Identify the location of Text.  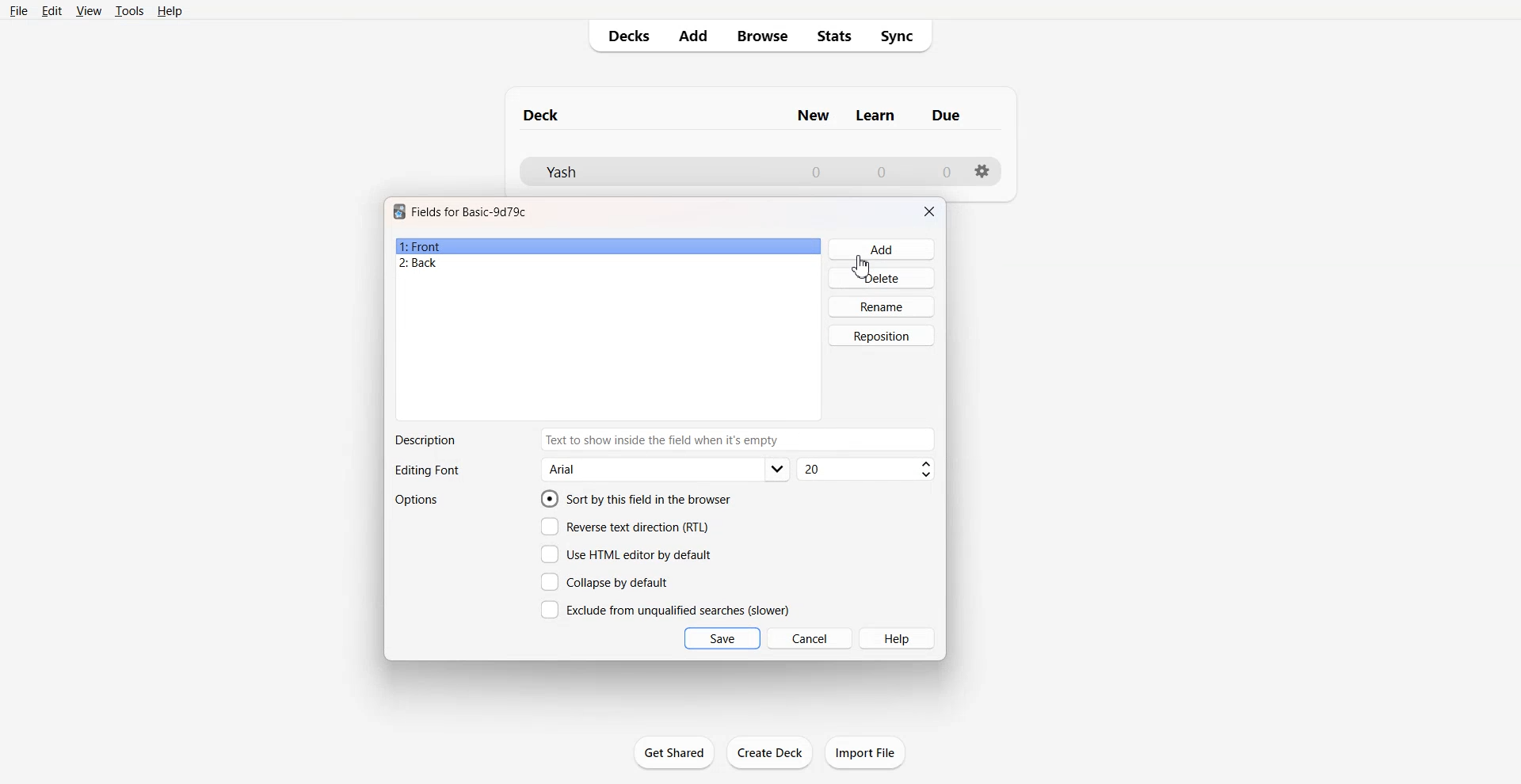
(426, 471).